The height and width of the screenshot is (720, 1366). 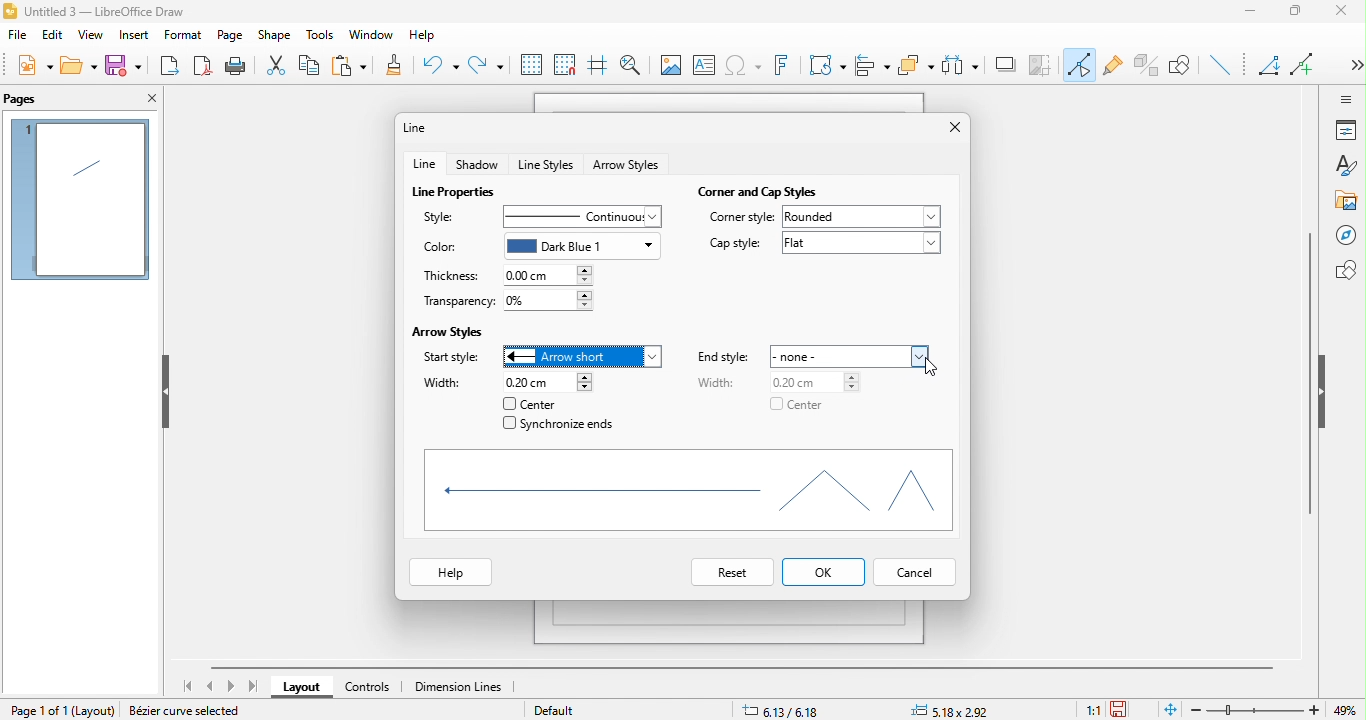 I want to click on show the draw function, so click(x=1187, y=67).